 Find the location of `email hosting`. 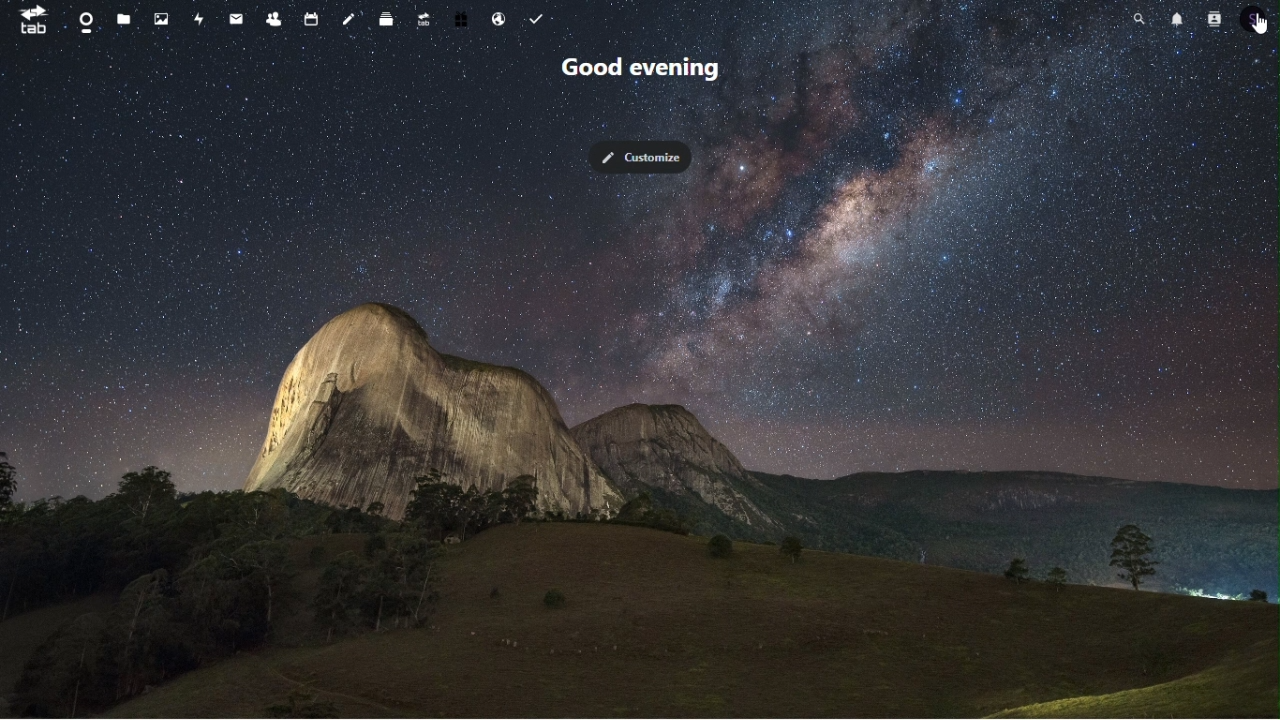

email hosting is located at coordinates (496, 18).